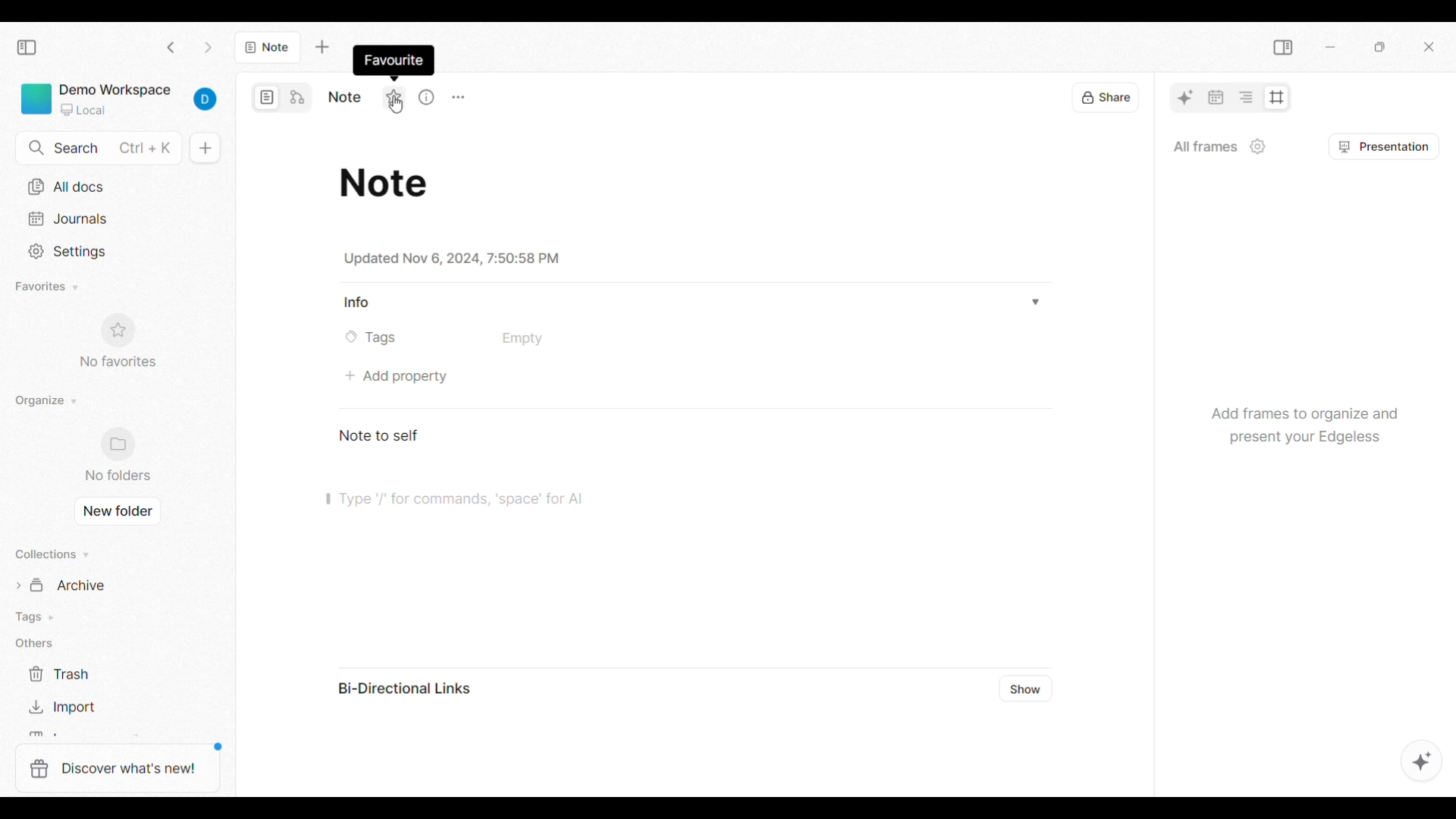 The height and width of the screenshot is (819, 1456). What do you see at coordinates (118, 218) in the screenshot?
I see `Journals` at bounding box center [118, 218].